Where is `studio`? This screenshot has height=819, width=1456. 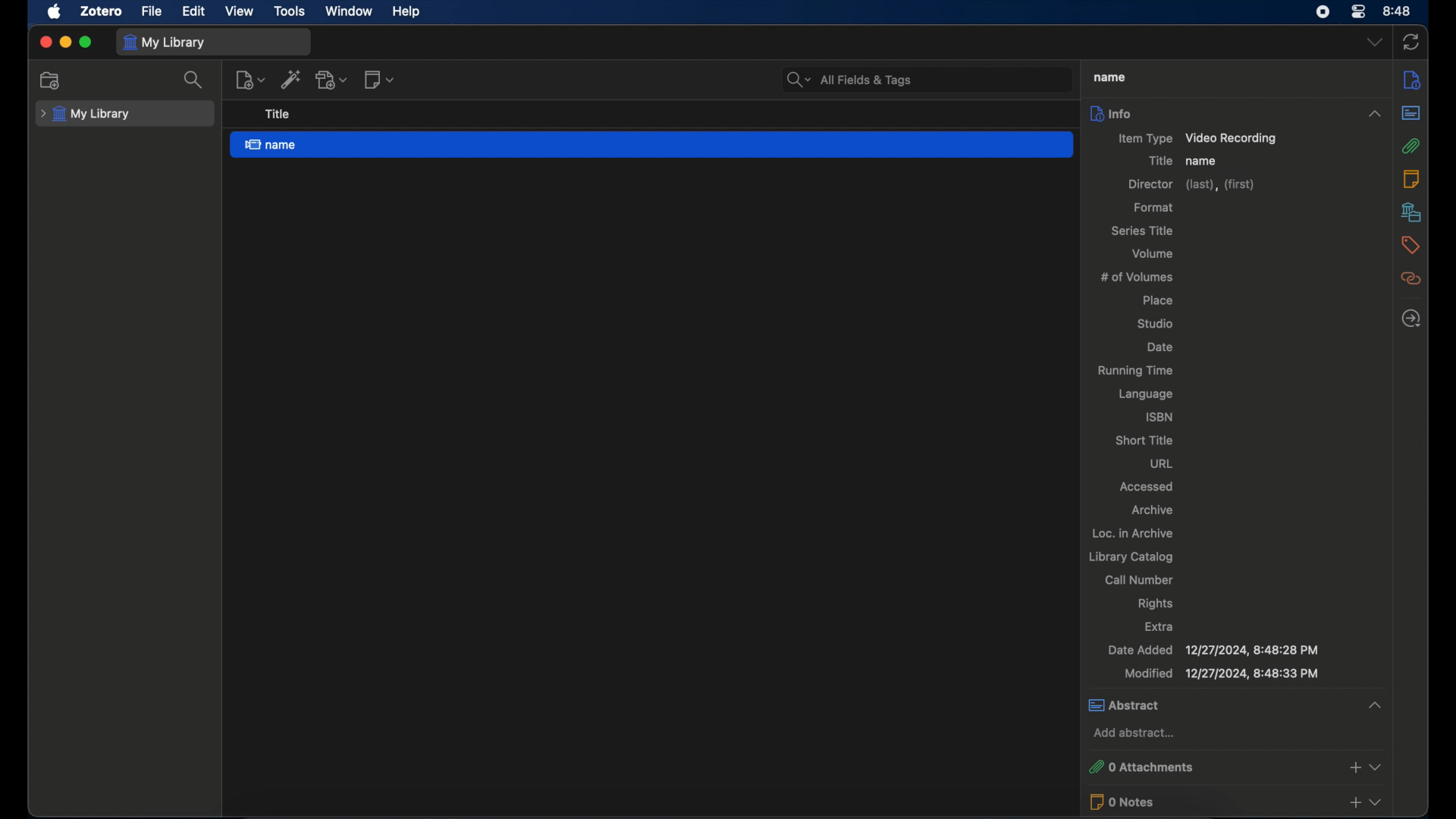
studio is located at coordinates (1155, 325).